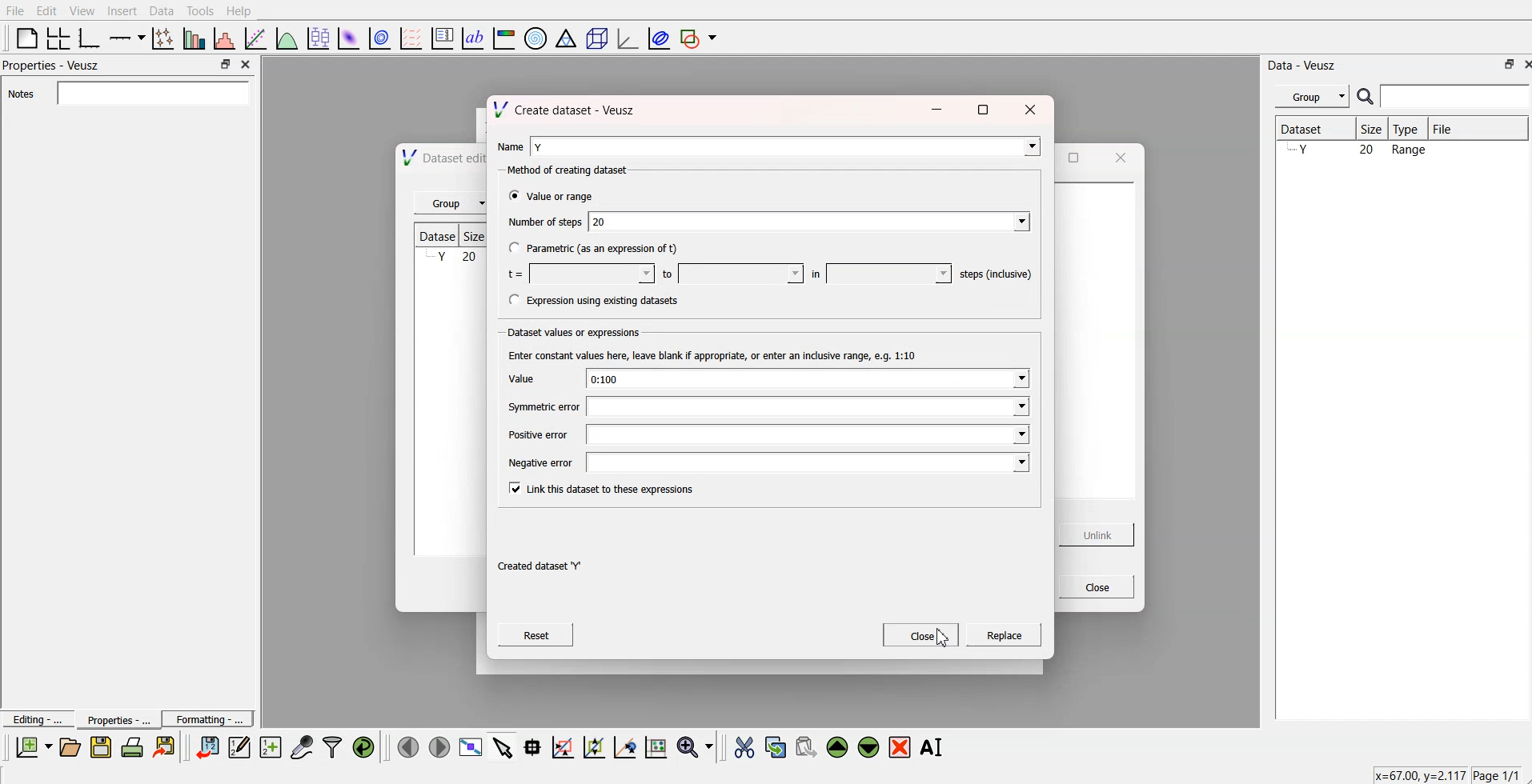 The image size is (1532, 784). Describe the element at coordinates (505, 37) in the screenshot. I see `image color bar` at that location.